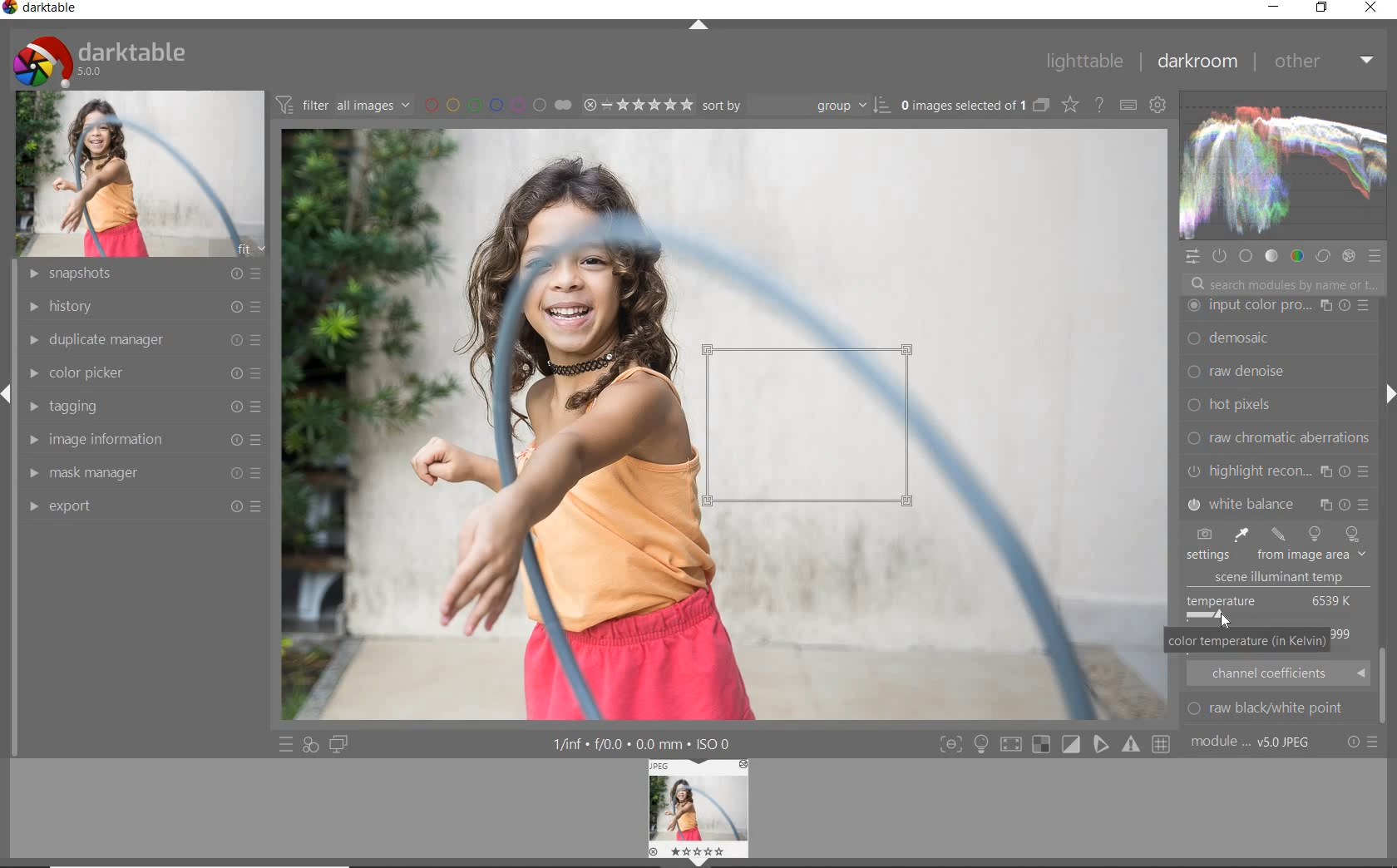  I want to click on CHANNEL COEFFICIENTS, so click(1279, 673).